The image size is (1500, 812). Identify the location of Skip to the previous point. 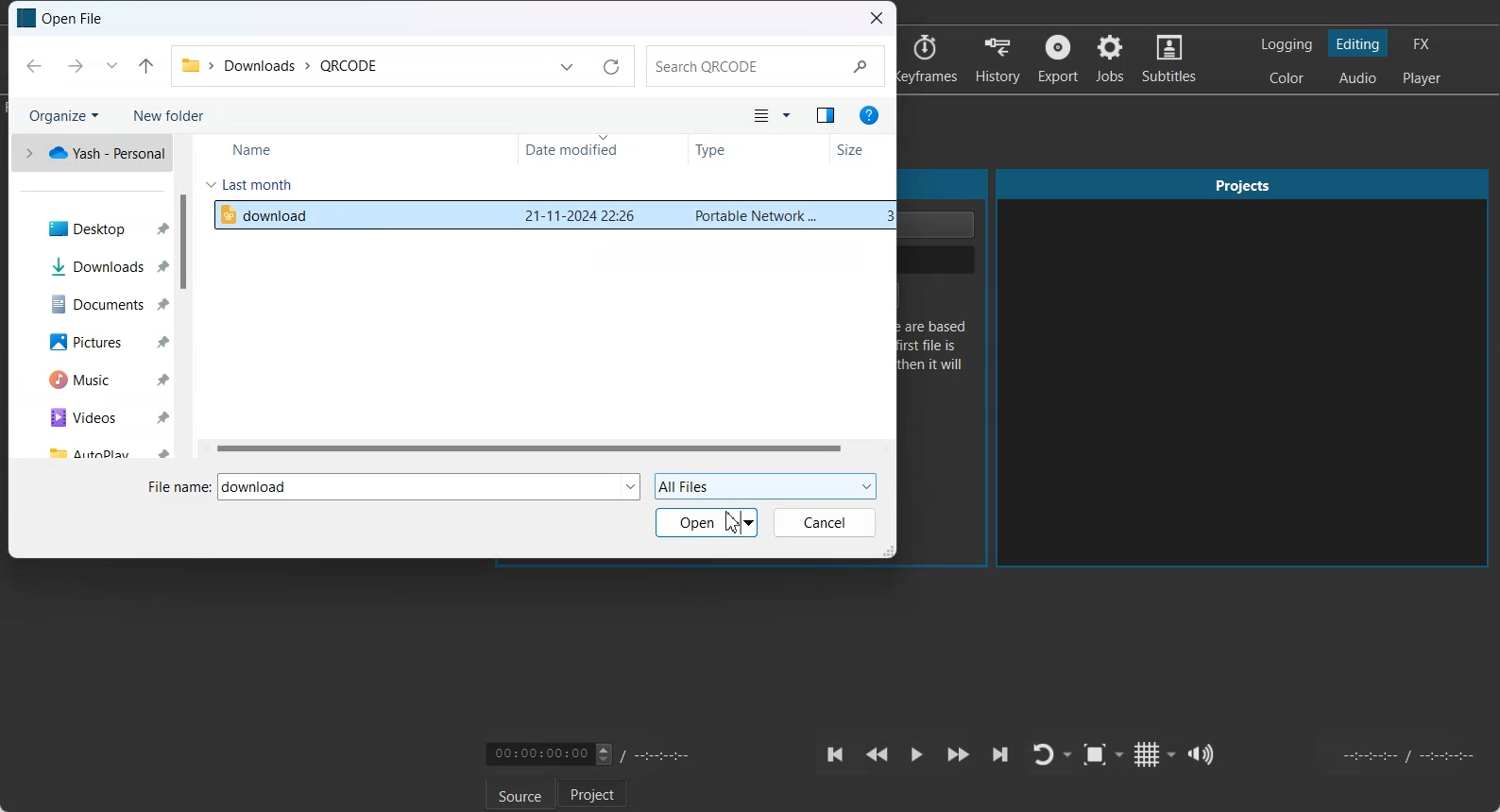
(836, 753).